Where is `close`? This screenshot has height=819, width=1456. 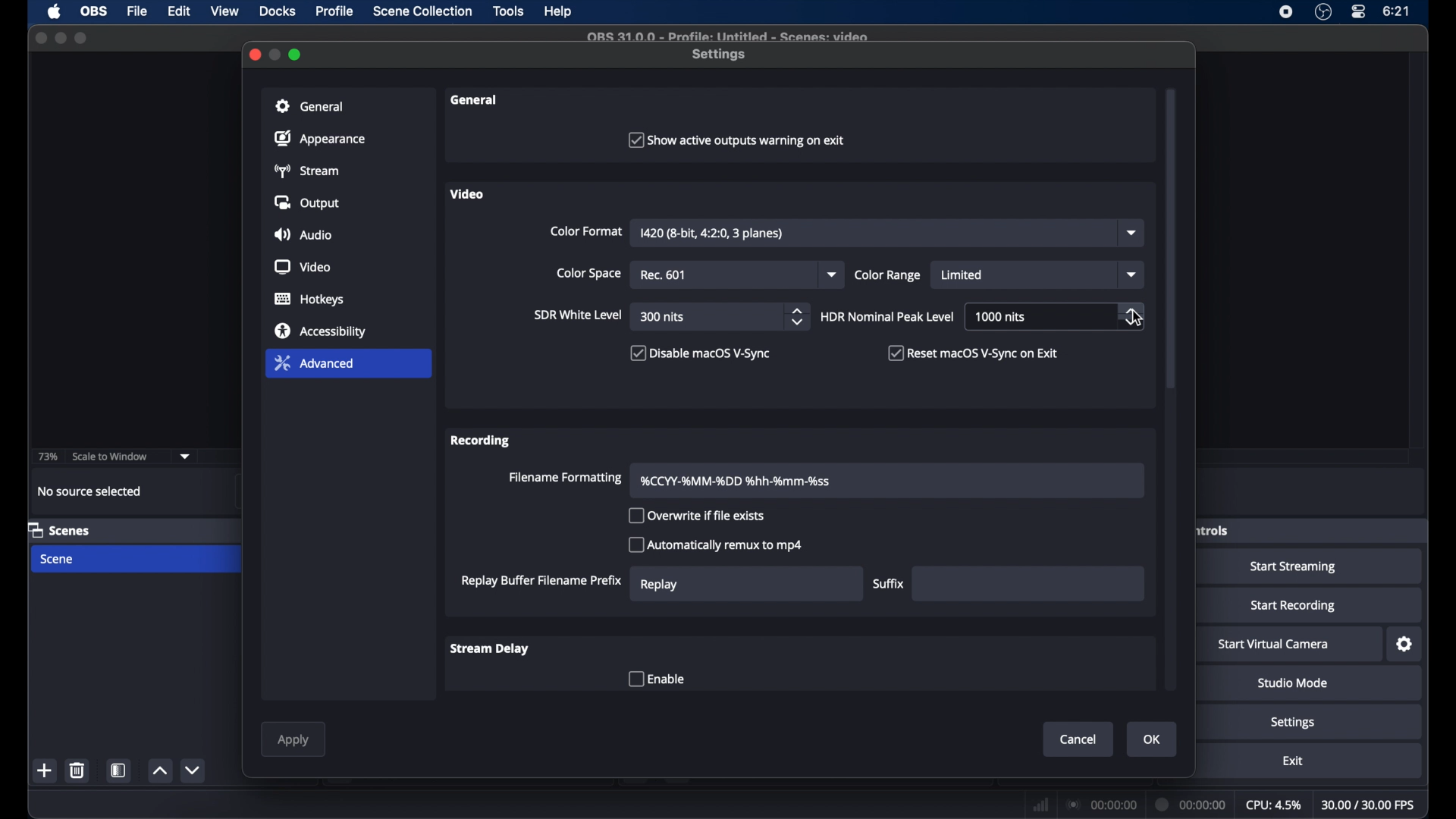
close is located at coordinates (255, 54).